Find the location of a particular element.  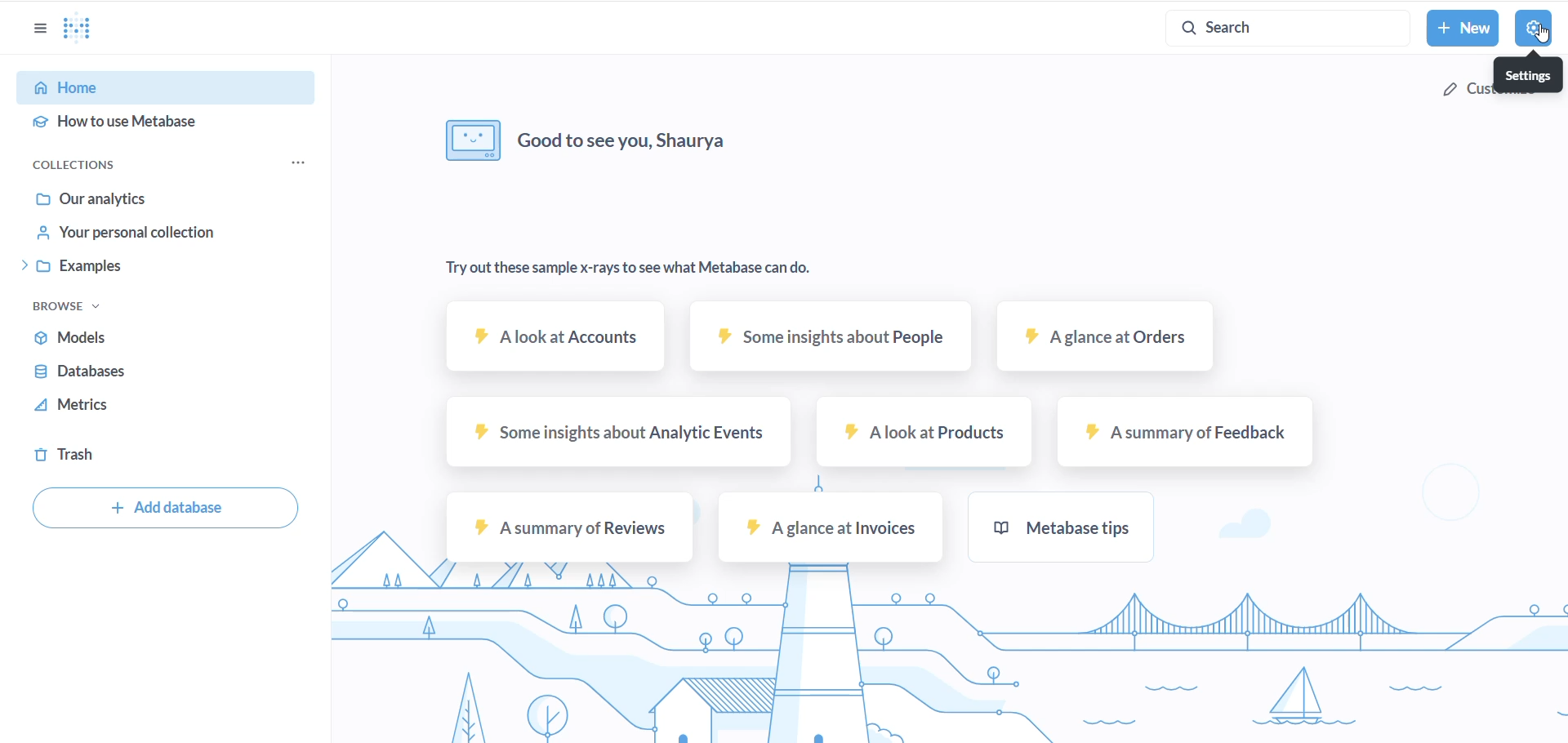

OUR ANALYTICS is located at coordinates (141, 198).